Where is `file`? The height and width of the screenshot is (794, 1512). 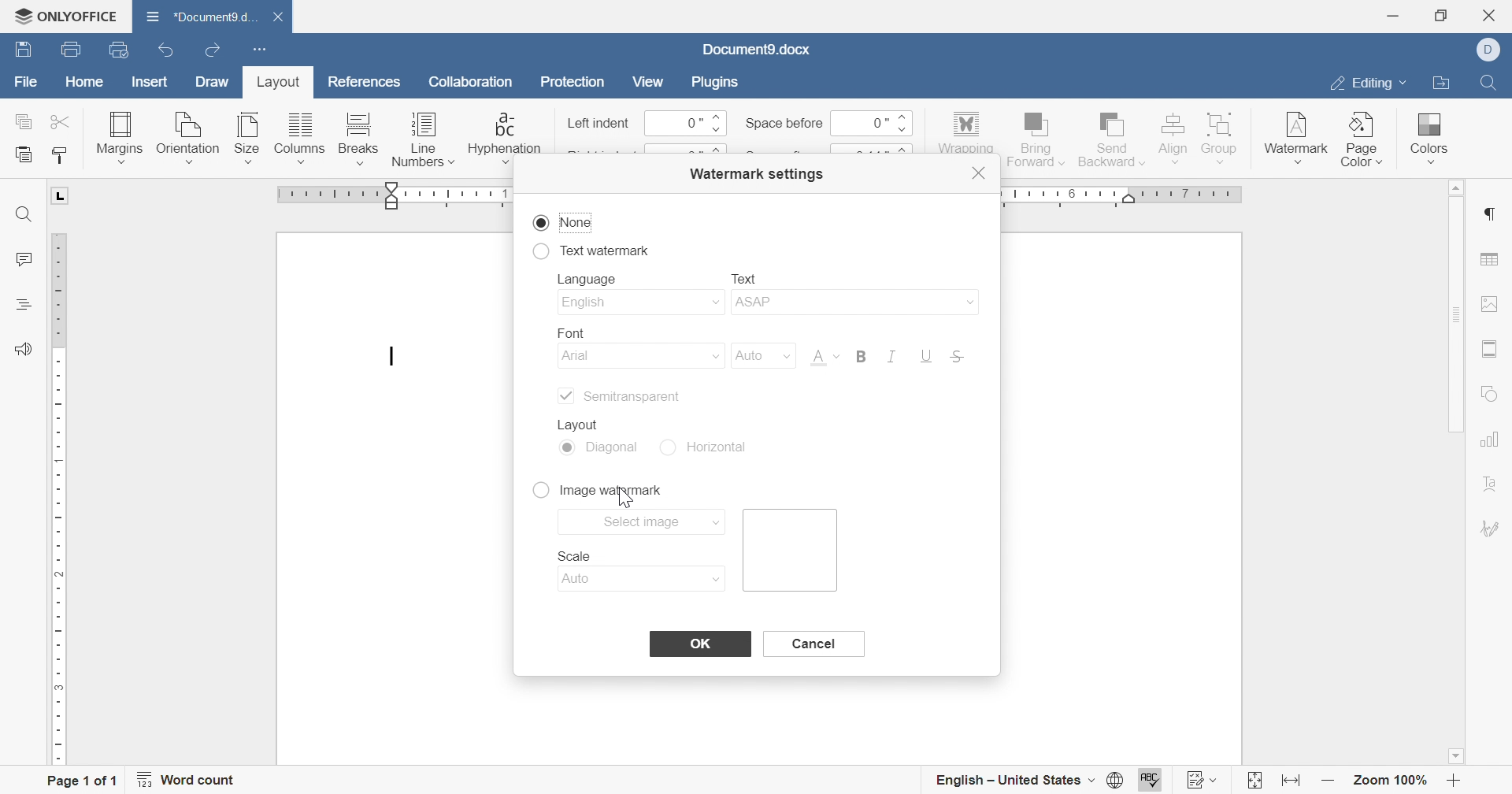
file is located at coordinates (27, 86).